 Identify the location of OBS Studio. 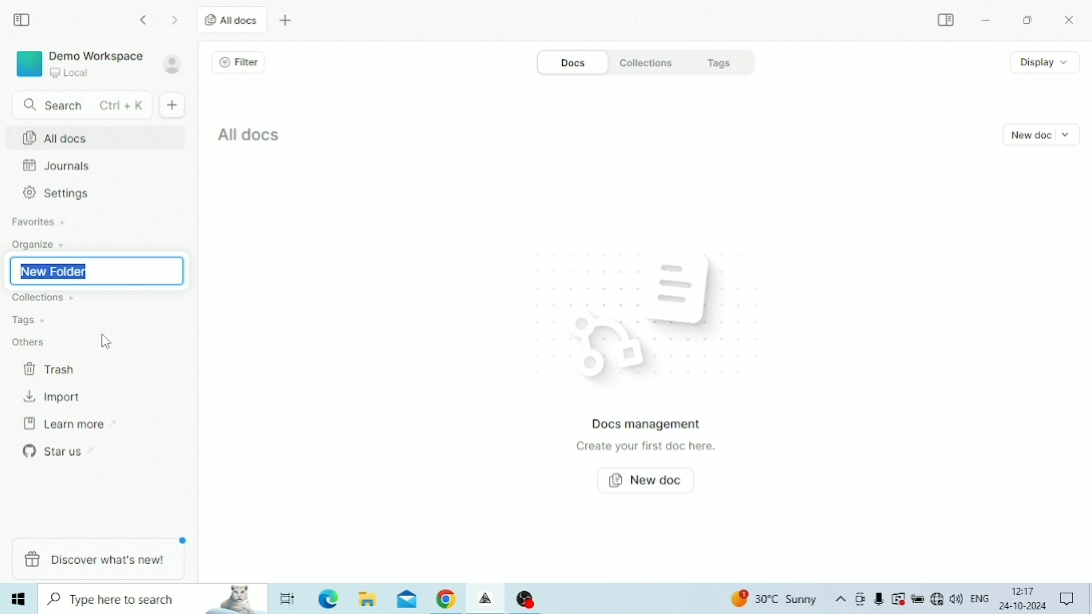
(526, 598).